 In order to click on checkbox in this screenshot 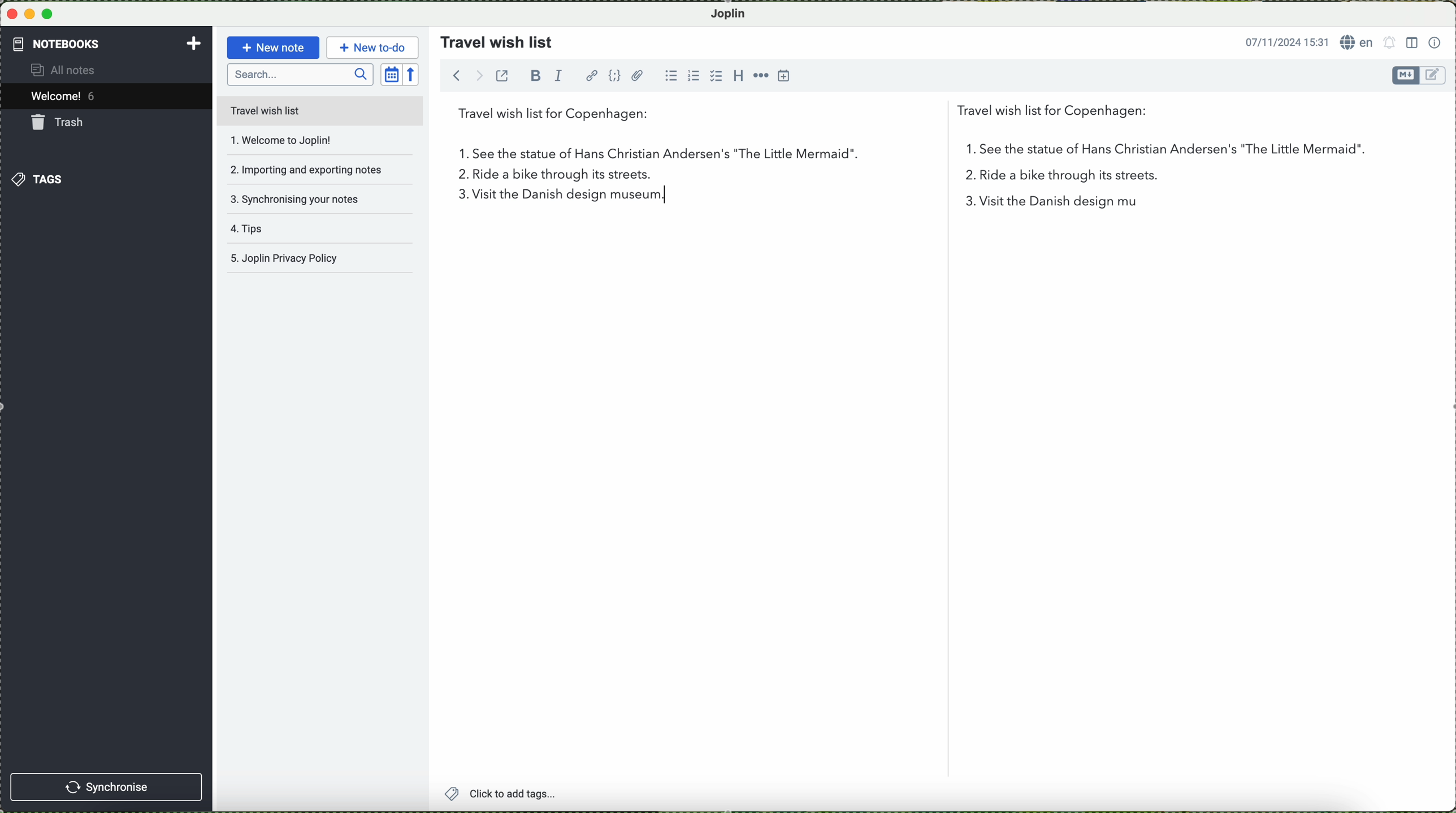, I will do `click(714, 76)`.